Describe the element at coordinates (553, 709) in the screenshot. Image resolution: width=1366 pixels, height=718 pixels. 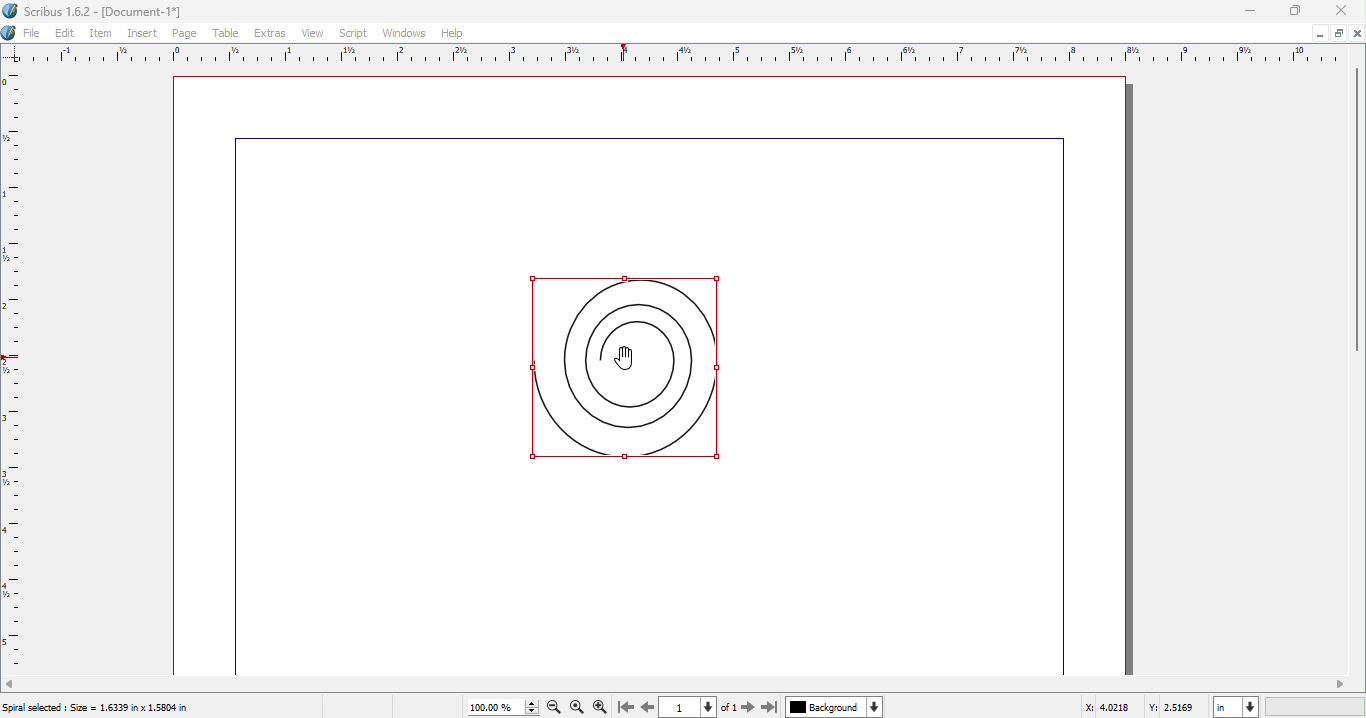
I see `Zoom out` at that location.